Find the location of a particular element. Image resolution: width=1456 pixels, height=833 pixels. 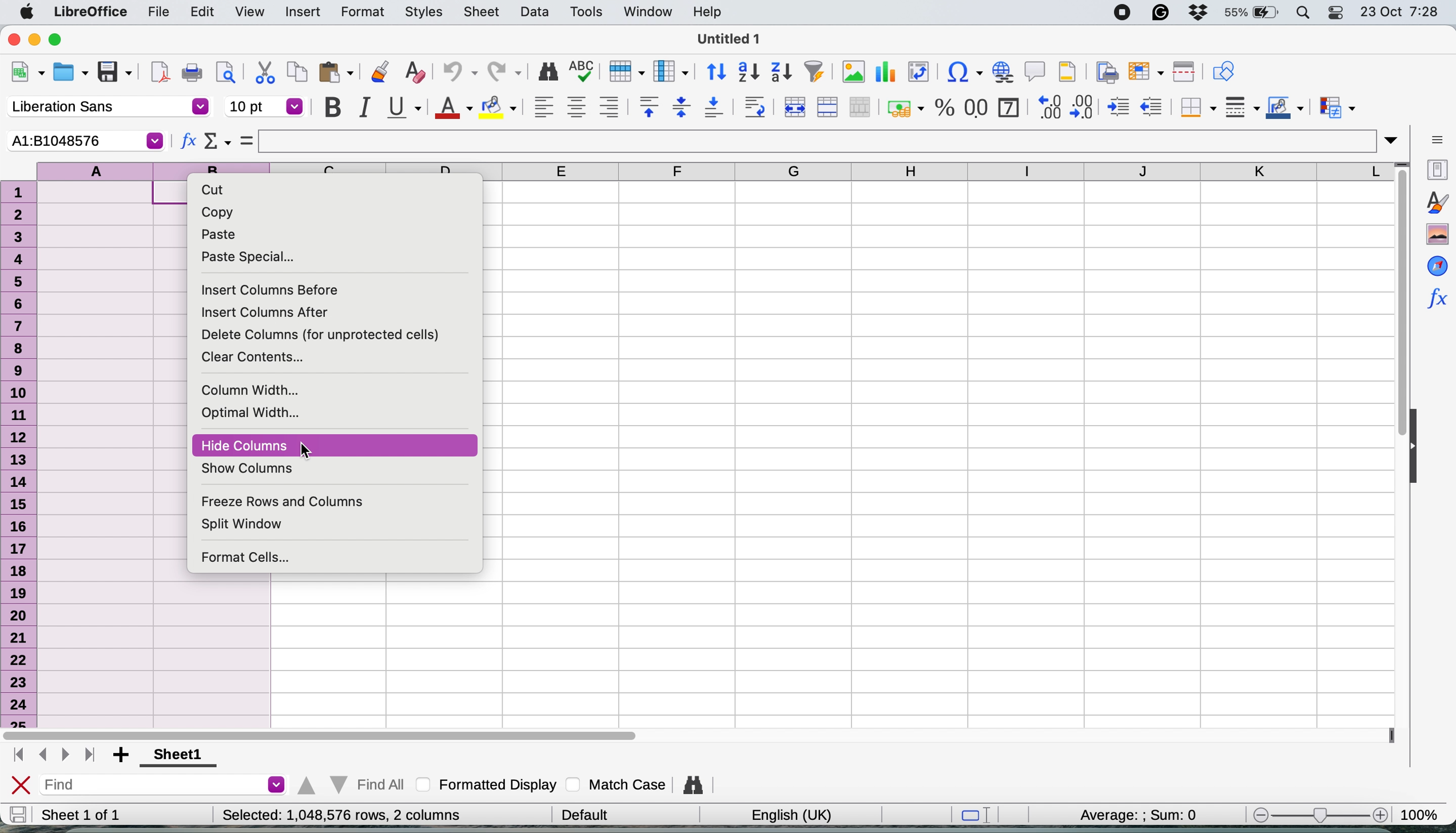

spotlight search is located at coordinates (1301, 13).